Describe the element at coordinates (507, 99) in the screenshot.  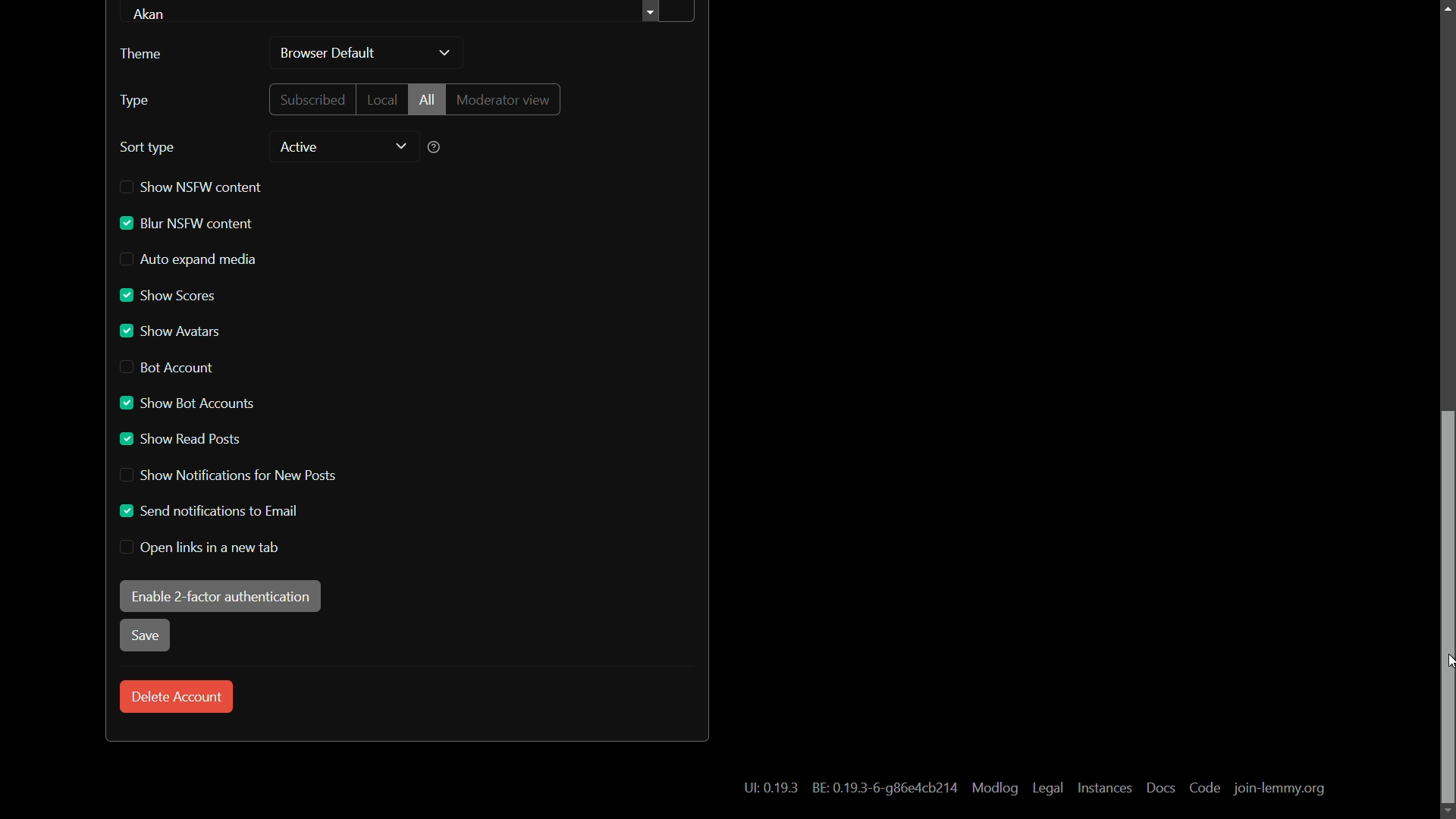
I see `moderator view` at that location.